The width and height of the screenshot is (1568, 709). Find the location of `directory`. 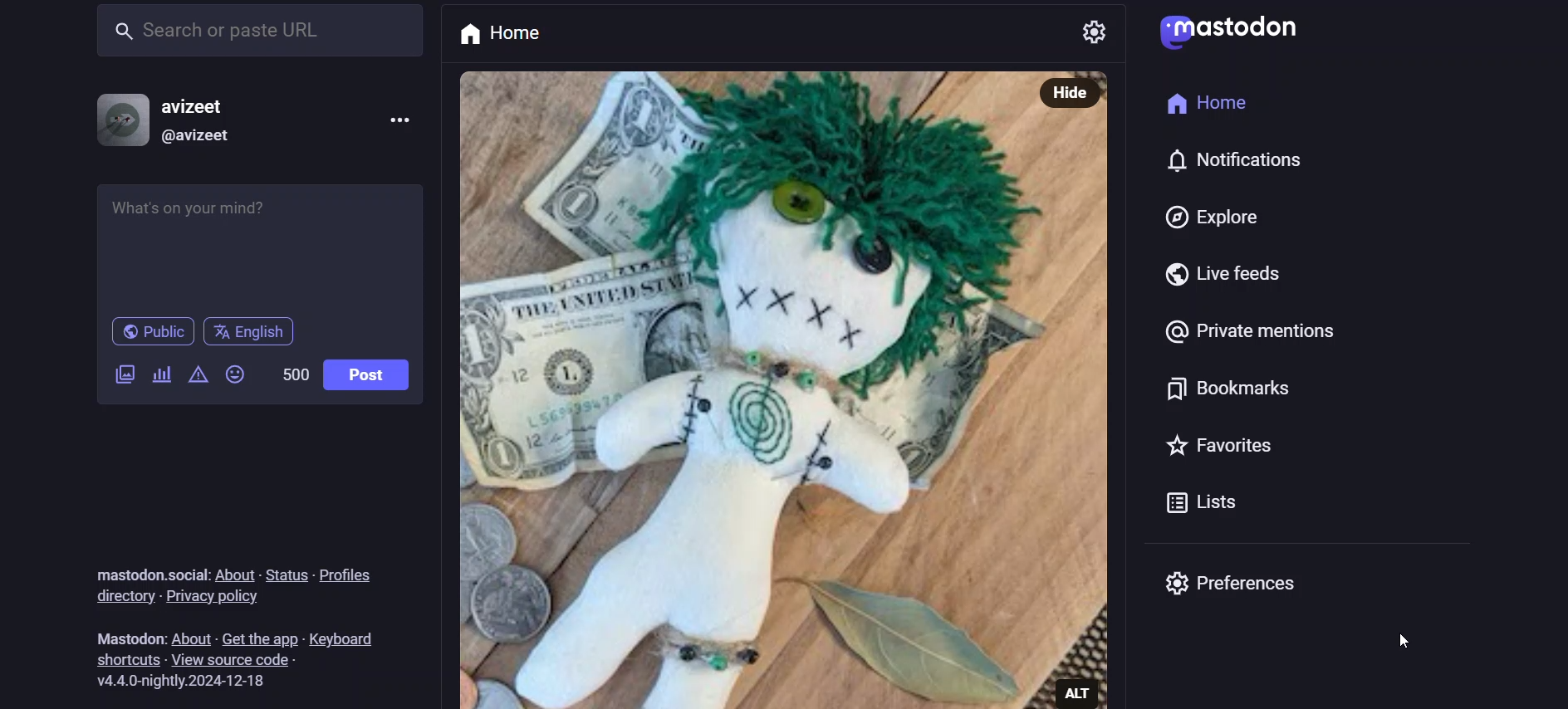

directory is located at coordinates (125, 598).